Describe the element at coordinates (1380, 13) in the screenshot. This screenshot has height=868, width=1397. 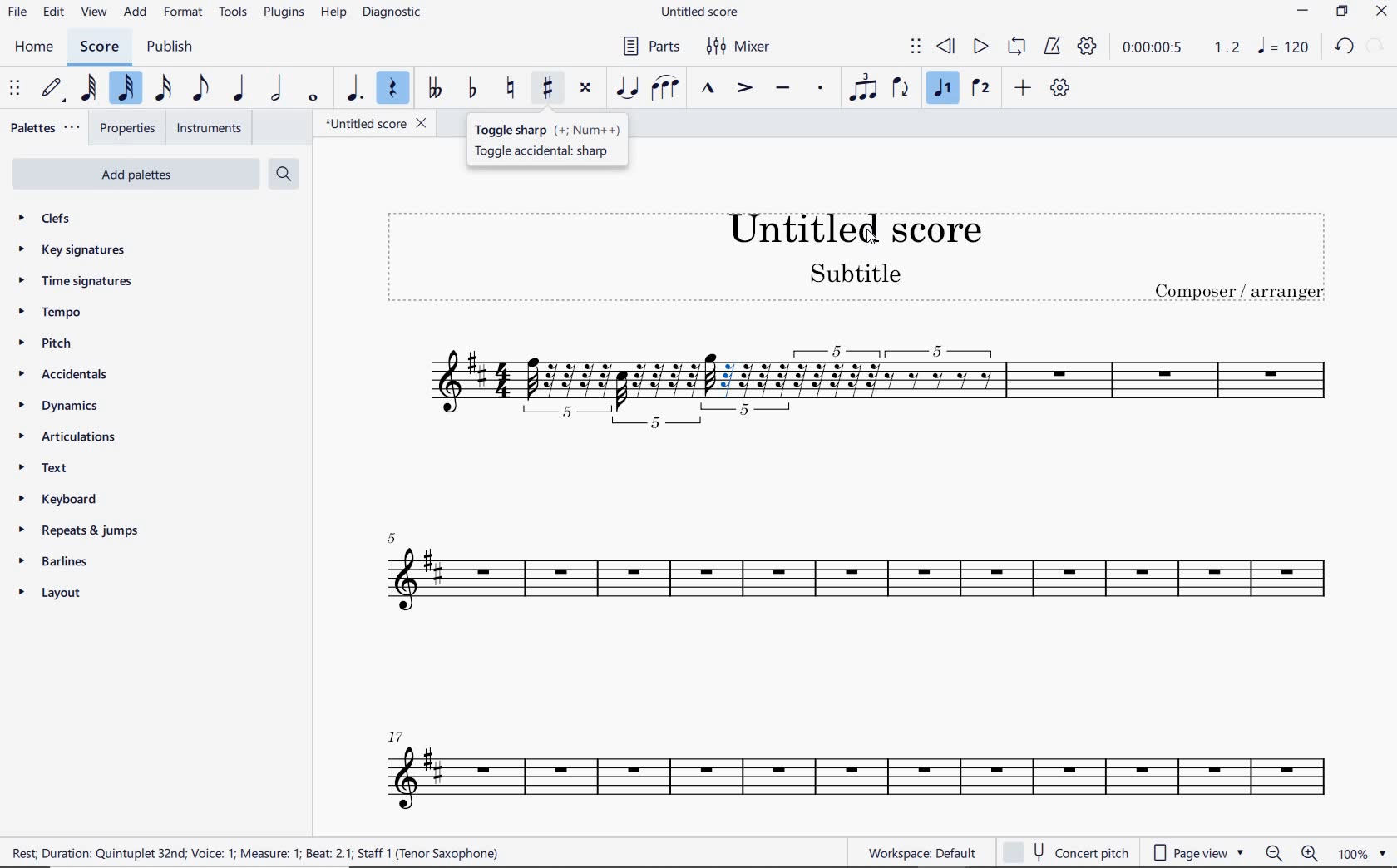
I see `CLOSE` at that location.